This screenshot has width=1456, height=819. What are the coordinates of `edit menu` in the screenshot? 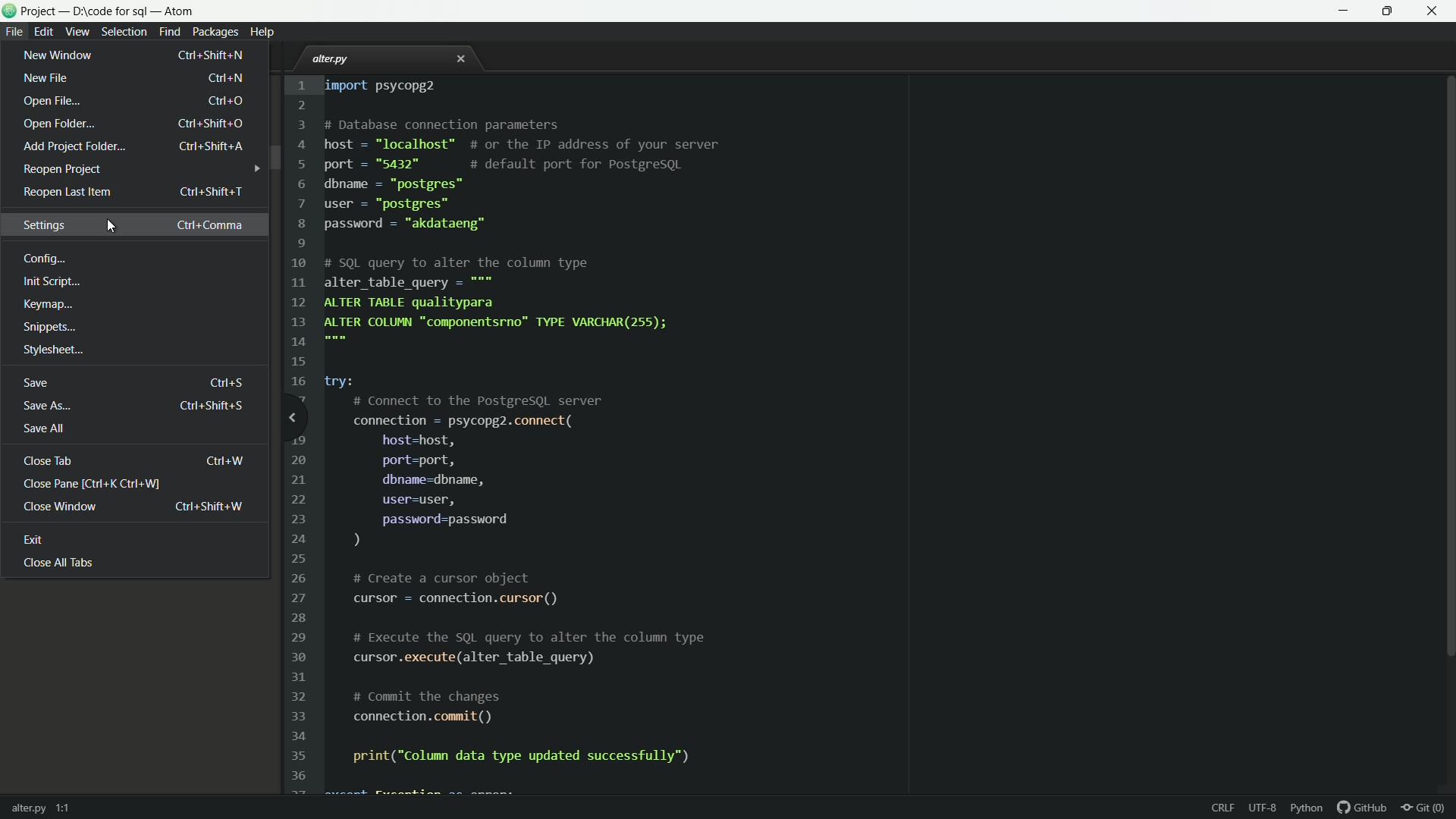 It's located at (44, 30).